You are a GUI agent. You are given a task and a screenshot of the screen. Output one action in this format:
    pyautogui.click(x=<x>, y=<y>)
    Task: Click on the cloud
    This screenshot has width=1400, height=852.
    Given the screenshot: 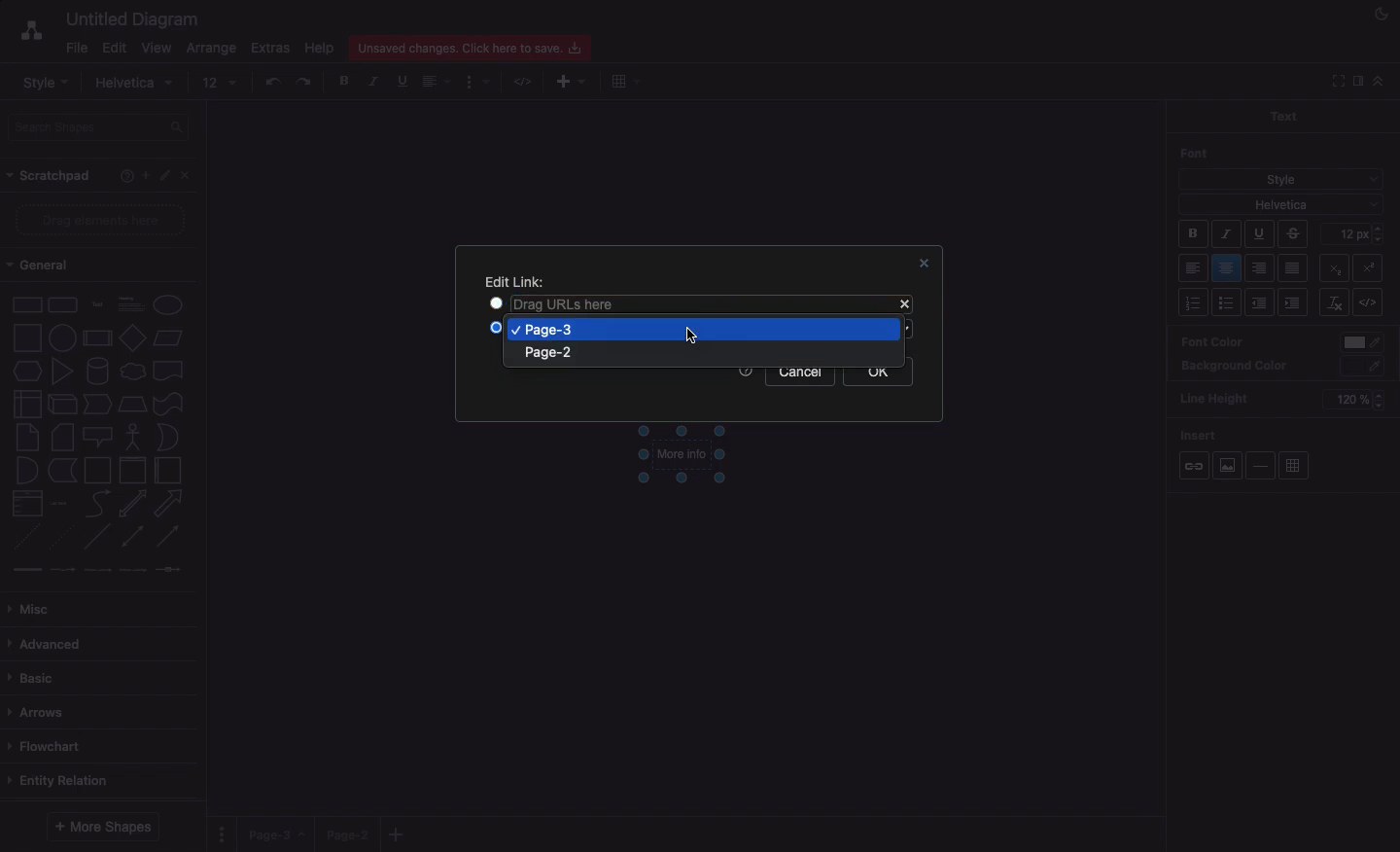 What is the action you would take?
    pyautogui.click(x=133, y=372)
    